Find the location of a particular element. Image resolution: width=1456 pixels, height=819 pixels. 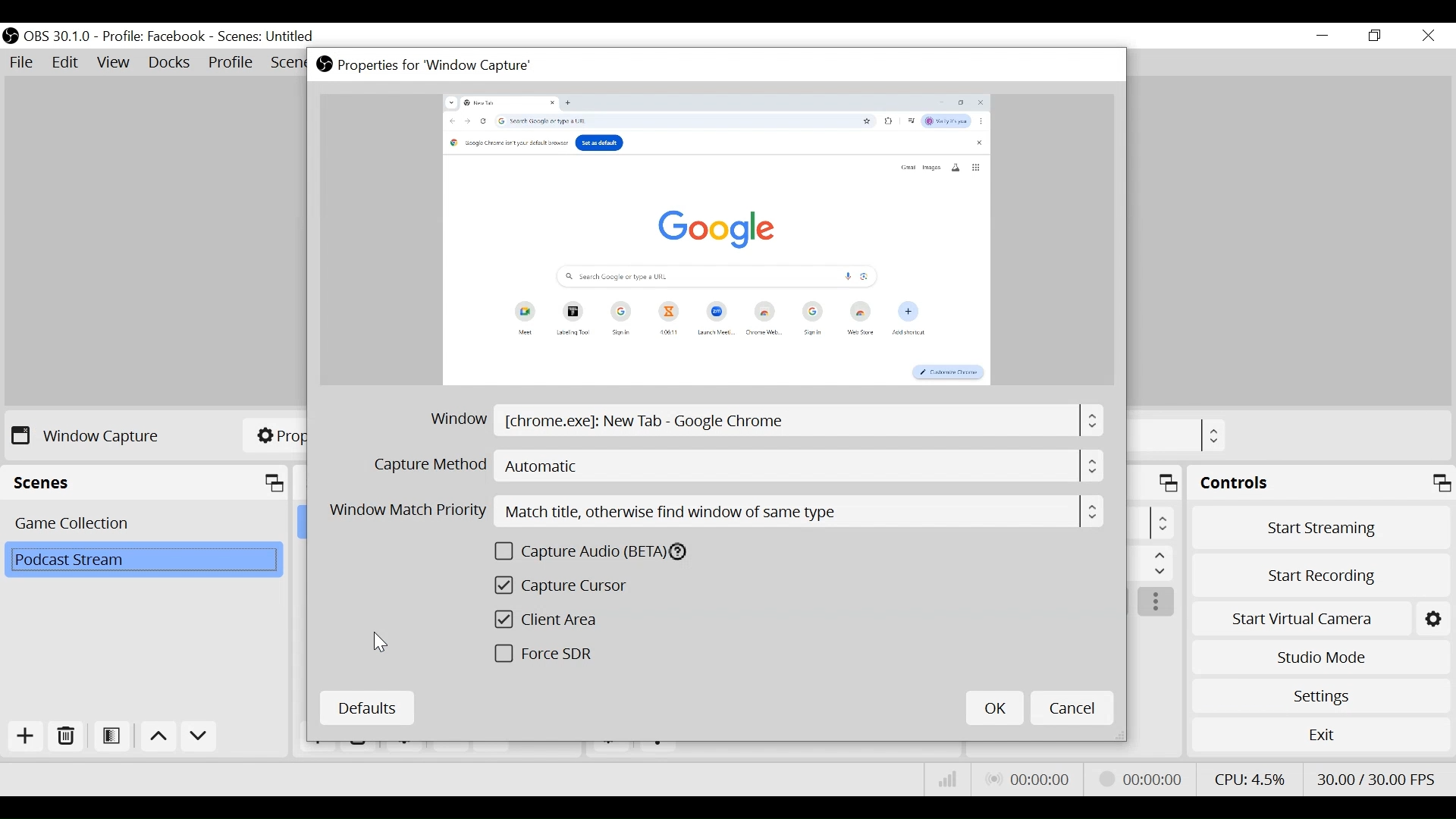

Live Status is located at coordinates (1027, 779).